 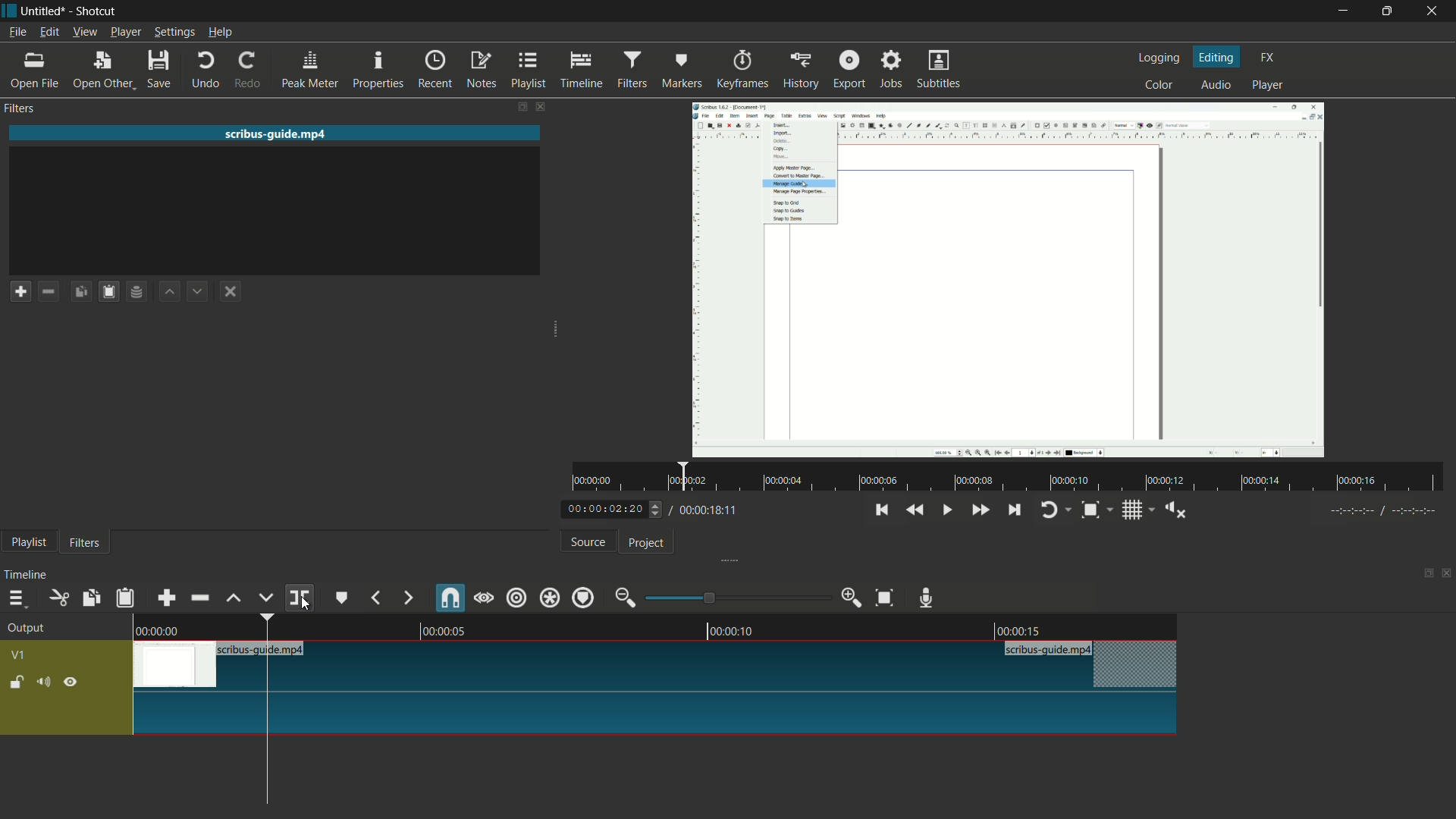 I want to click on open file, so click(x=31, y=69).